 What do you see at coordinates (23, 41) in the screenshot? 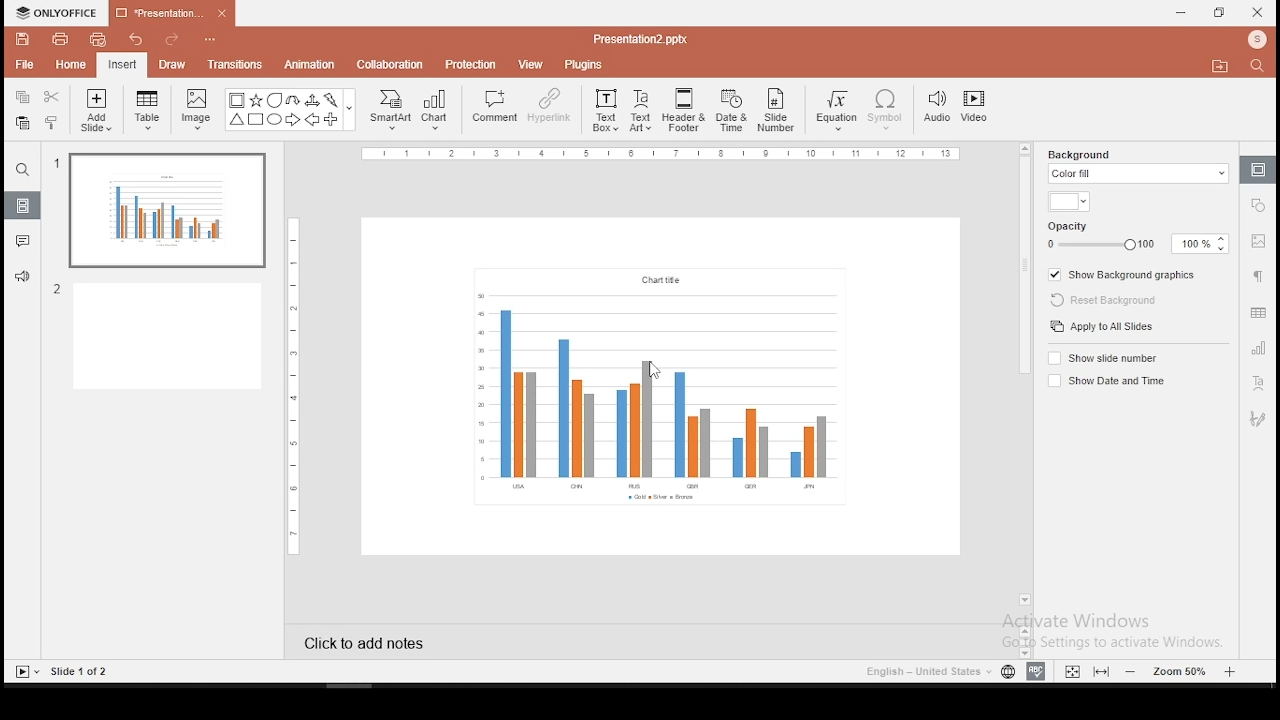
I see `save` at bounding box center [23, 41].